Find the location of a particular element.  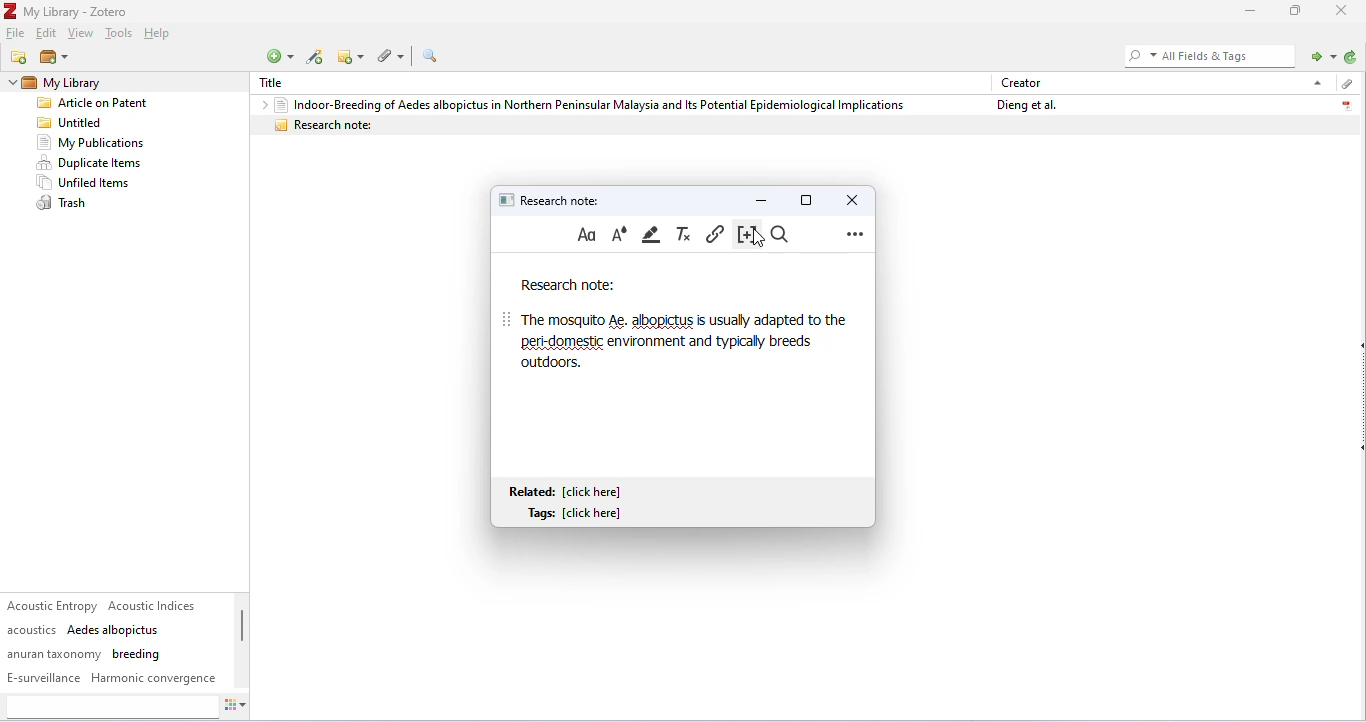

research note is located at coordinates (804, 125).